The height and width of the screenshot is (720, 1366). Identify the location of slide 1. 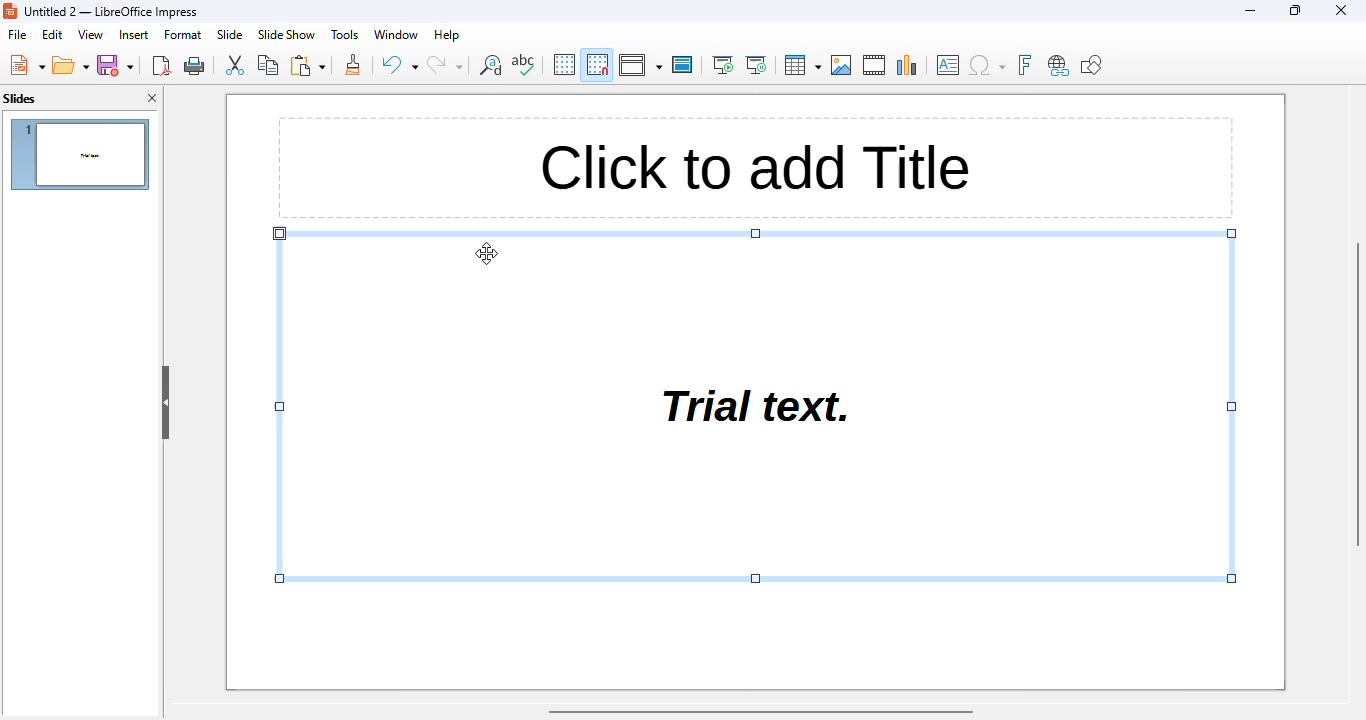
(79, 155).